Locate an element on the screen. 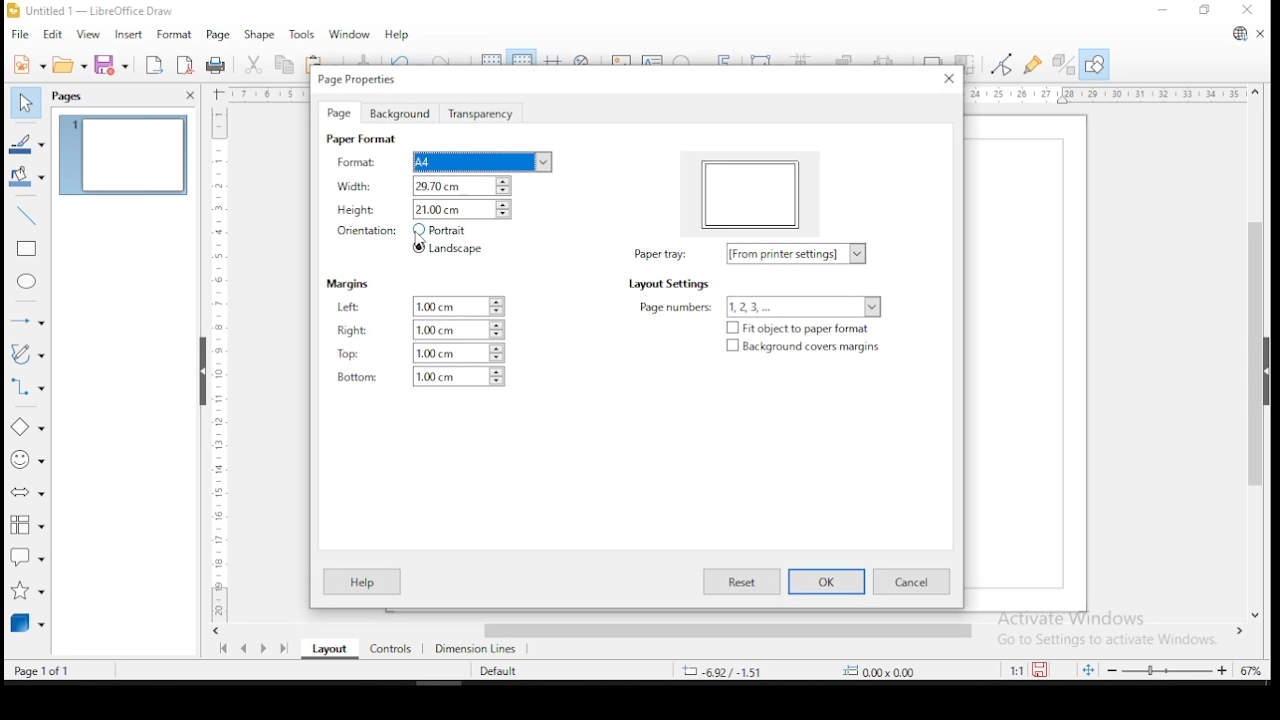 The image size is (1280, 720). symbol shapes is located at coordinates (25, 465).